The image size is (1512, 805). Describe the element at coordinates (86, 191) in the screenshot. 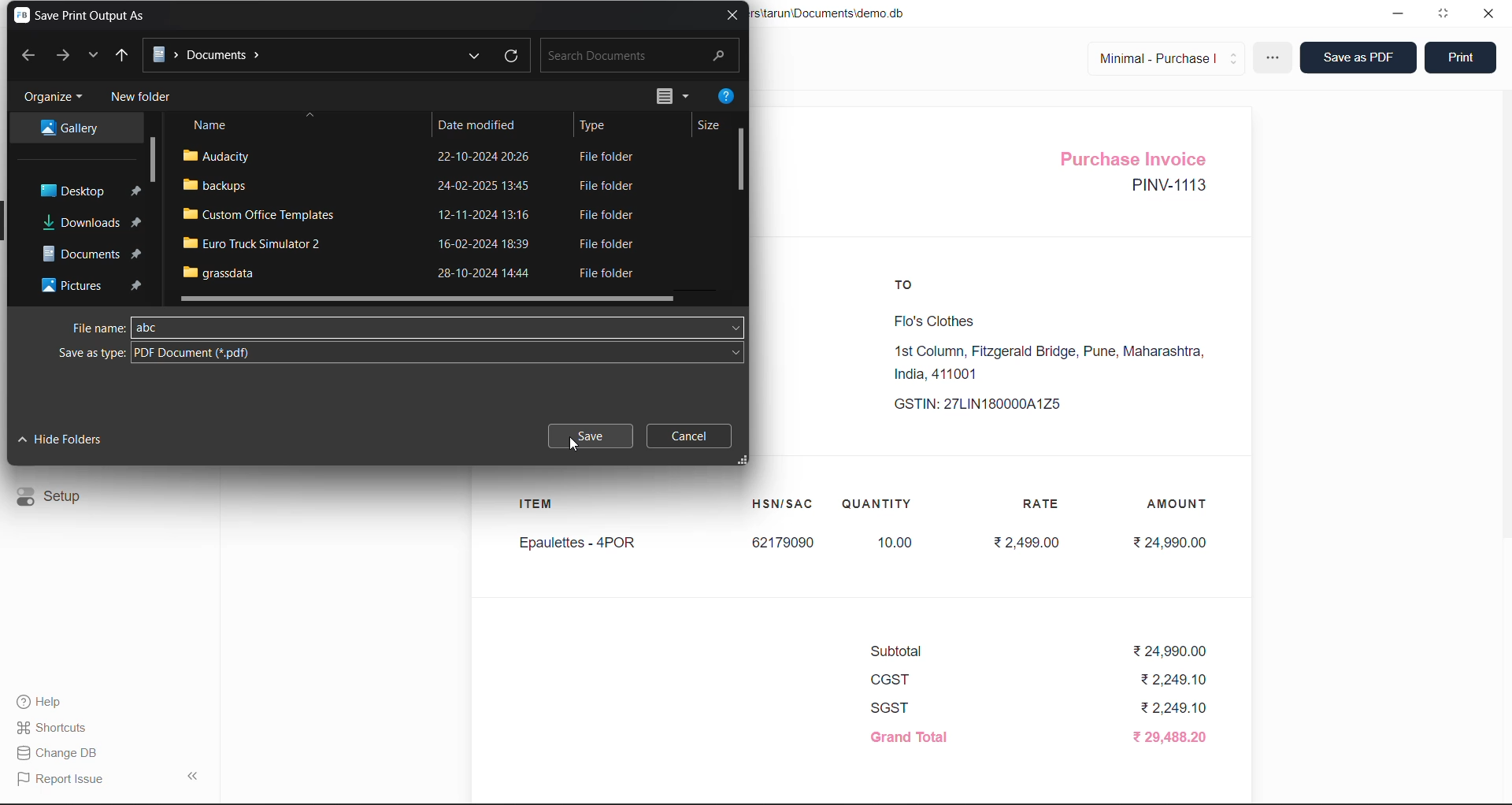

I see ` Desktop` at that location.